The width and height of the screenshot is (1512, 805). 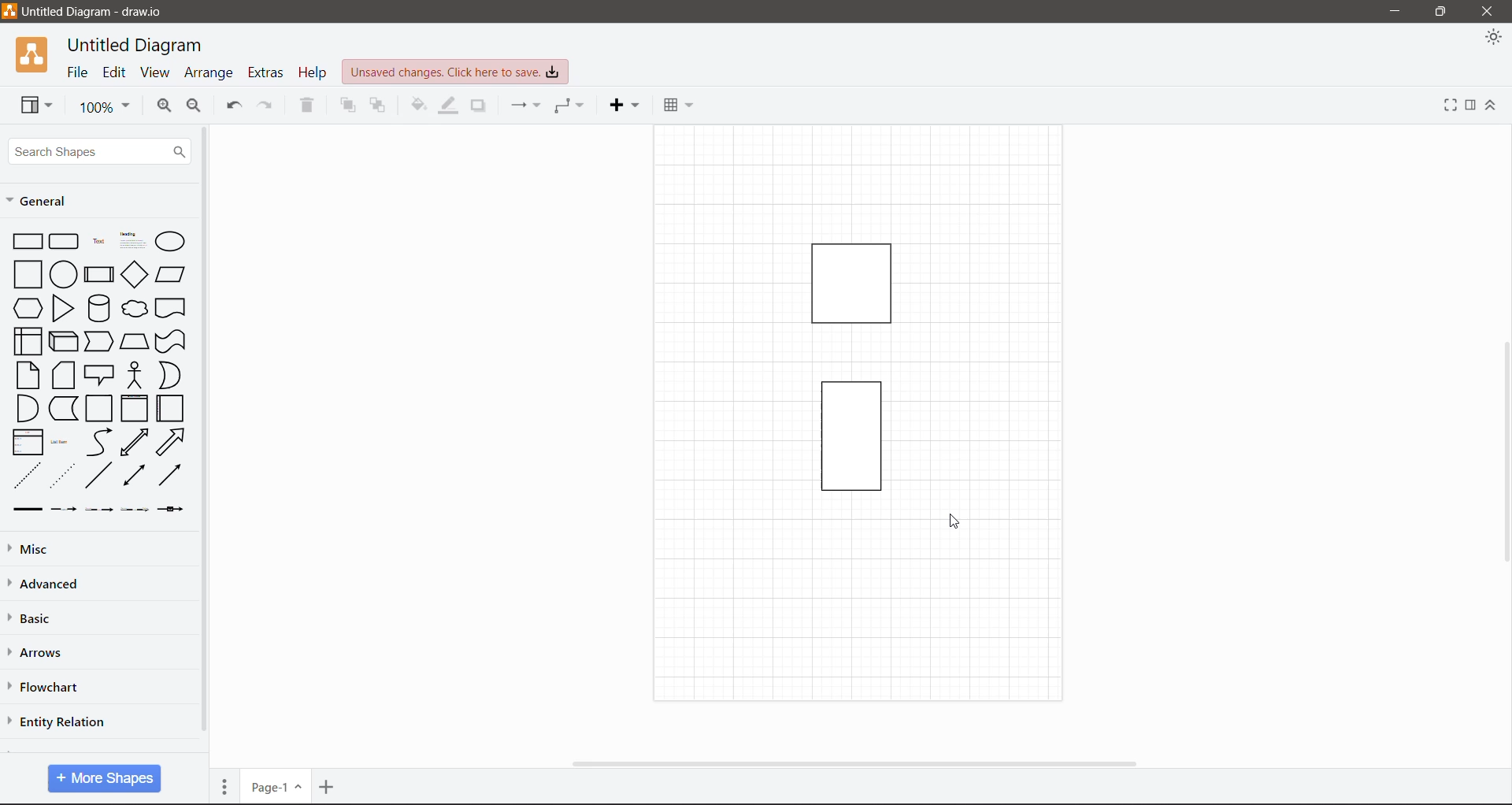 What do you see at coordinates (34, 551) in the screenshot?
I see `Misc` at bounding box center [34, 551].